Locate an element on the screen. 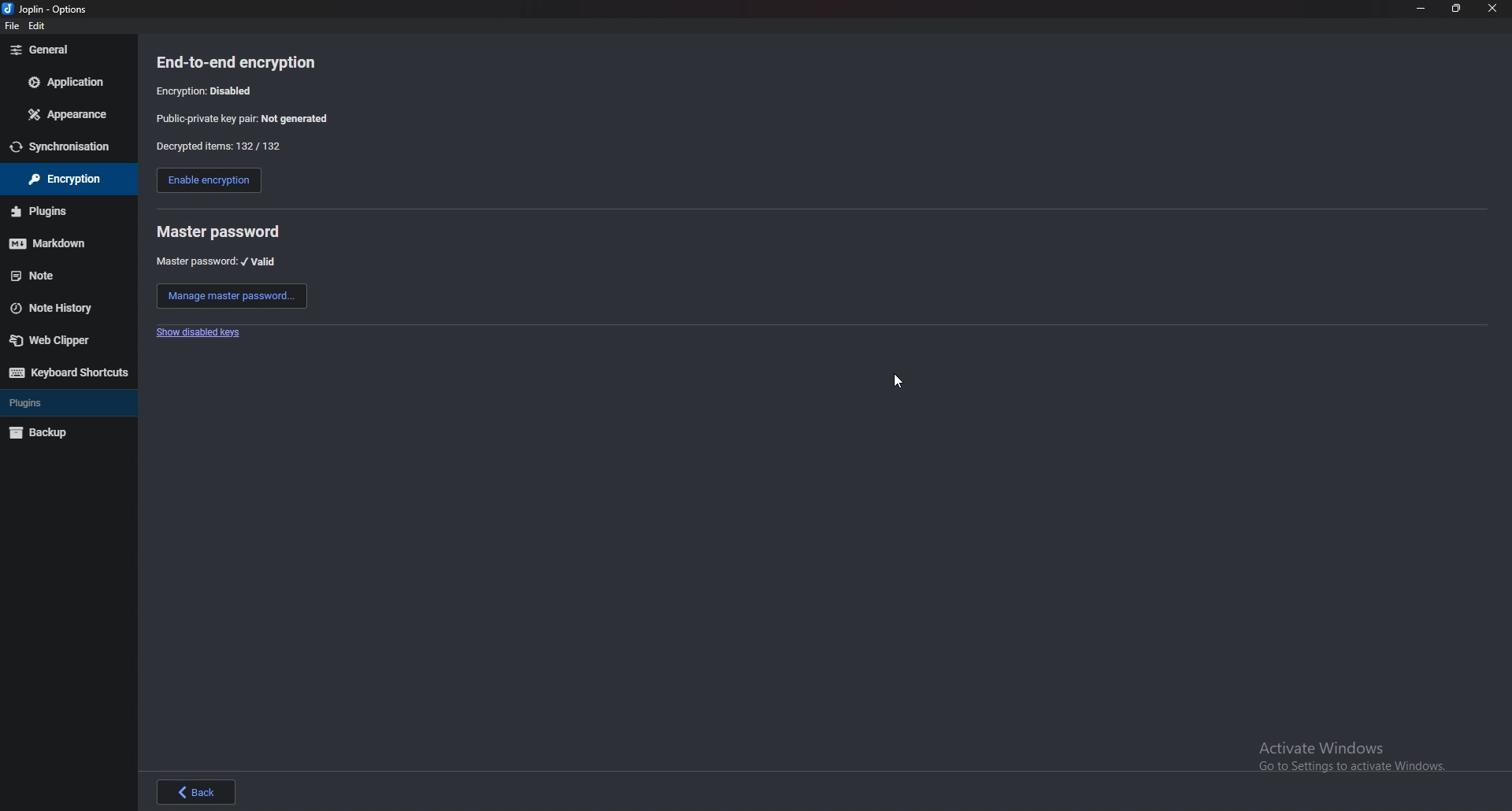 This screenshot has height=811, width=1512. plugins is located at coordinates (61, 211).